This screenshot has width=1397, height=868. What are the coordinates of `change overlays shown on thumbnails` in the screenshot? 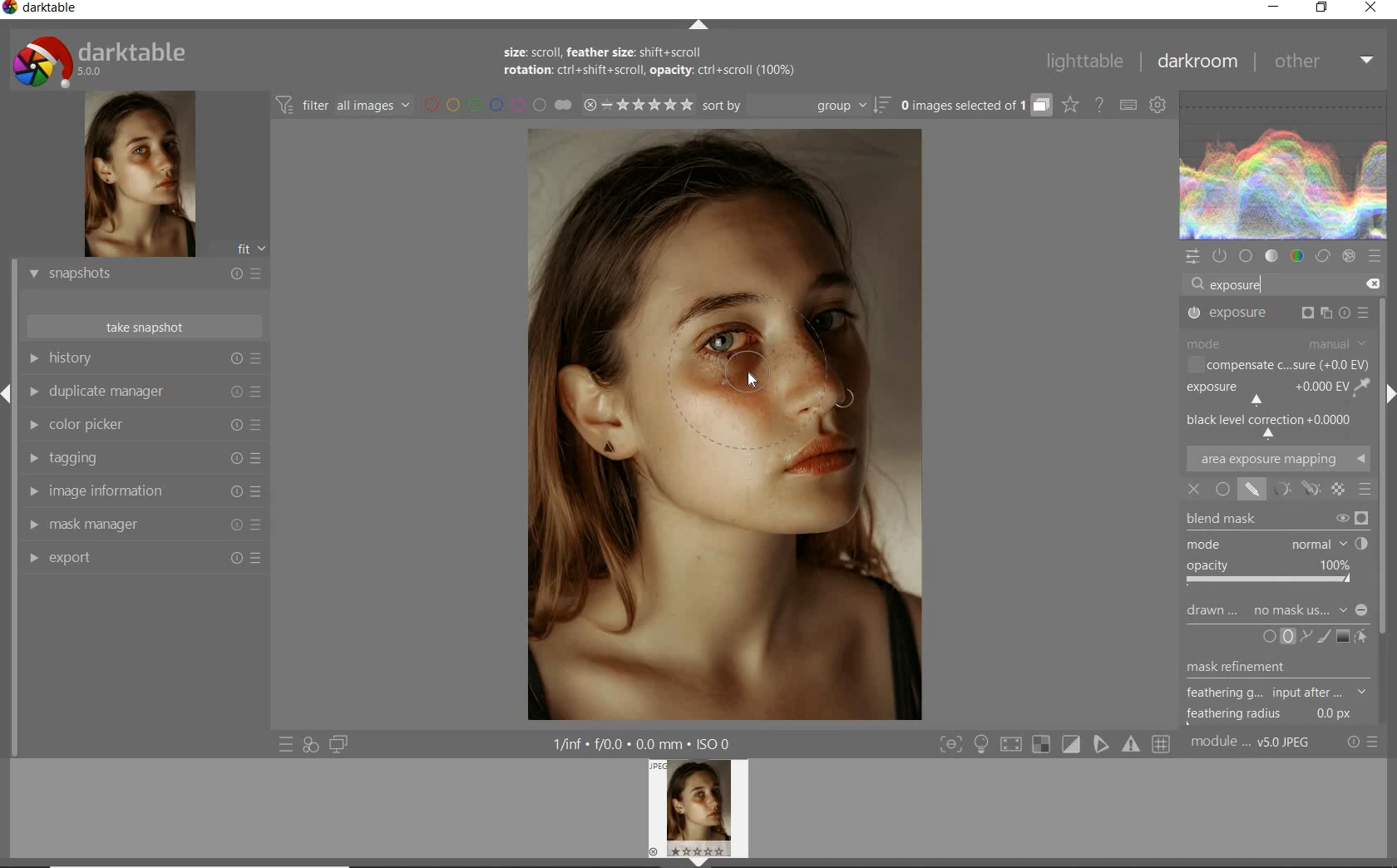 It's located at (1069, 106).